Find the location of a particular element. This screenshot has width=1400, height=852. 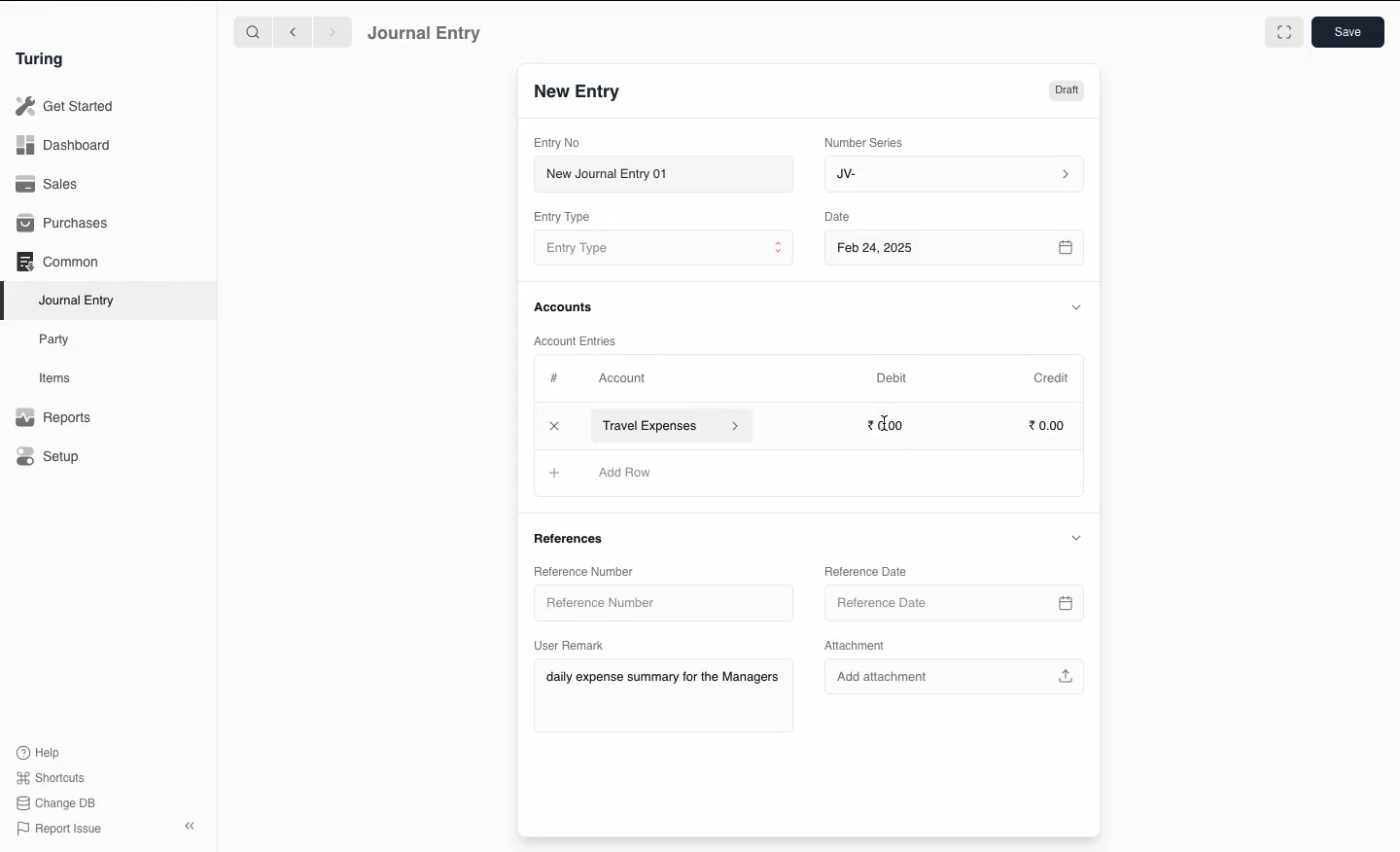

Account is located at coordinates (623, 378).